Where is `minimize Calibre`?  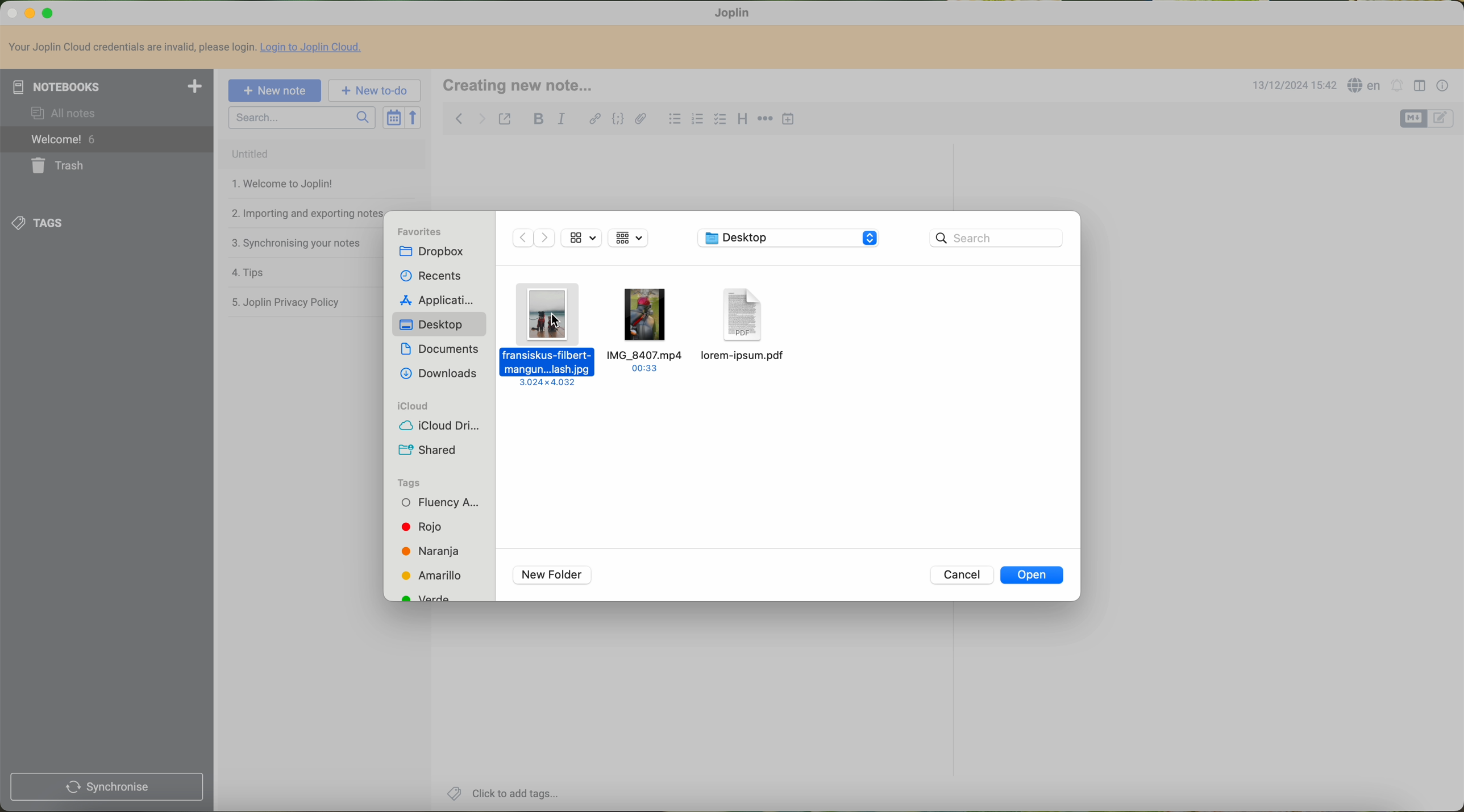 minimize Calibre is located at coordinates (30, 14).